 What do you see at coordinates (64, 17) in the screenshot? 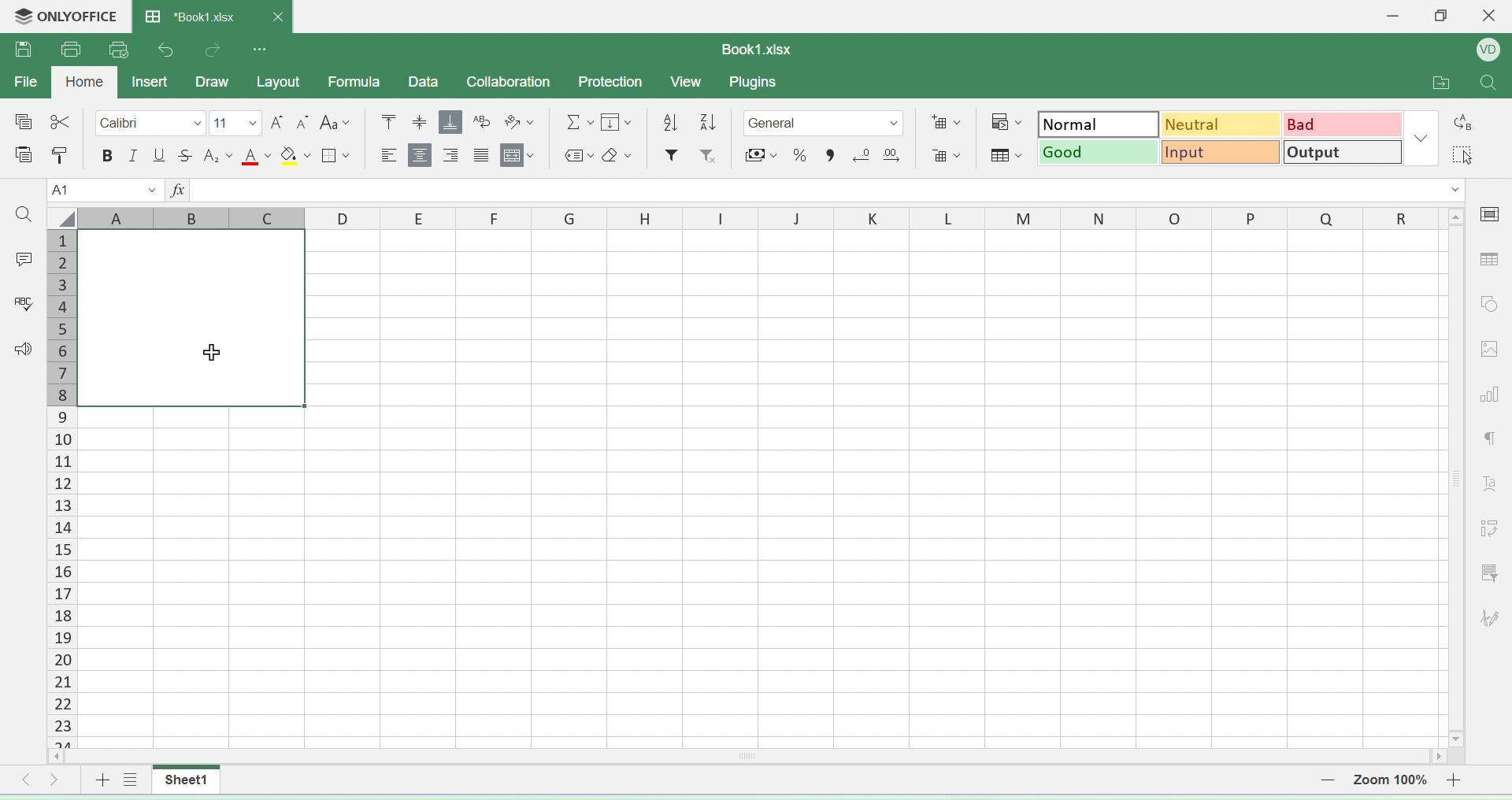
I see `onlyoffice logo` at bounding box center [64, 17].